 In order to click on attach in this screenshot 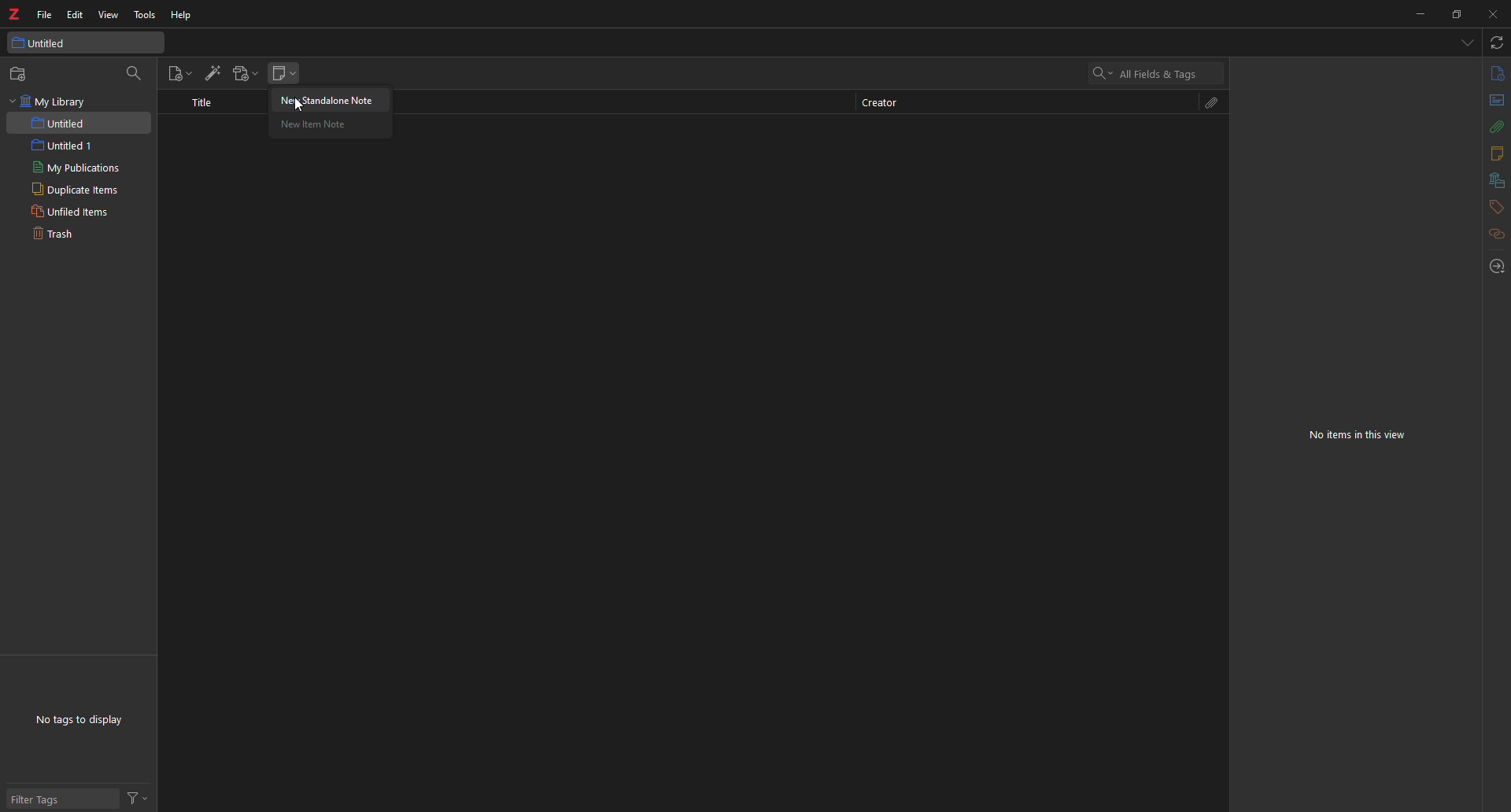, I will do `click(1498, 127)`.